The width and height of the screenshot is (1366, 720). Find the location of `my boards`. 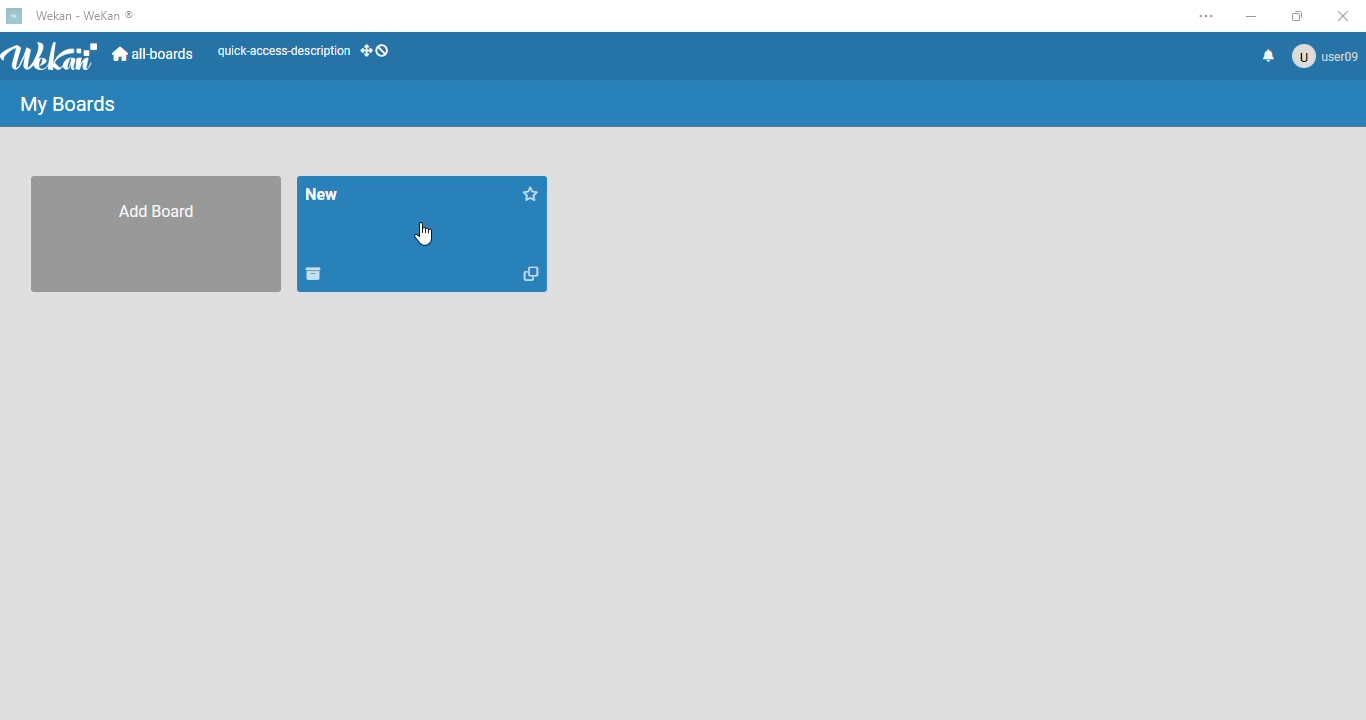

my boards is located at coordinates (69, 104).